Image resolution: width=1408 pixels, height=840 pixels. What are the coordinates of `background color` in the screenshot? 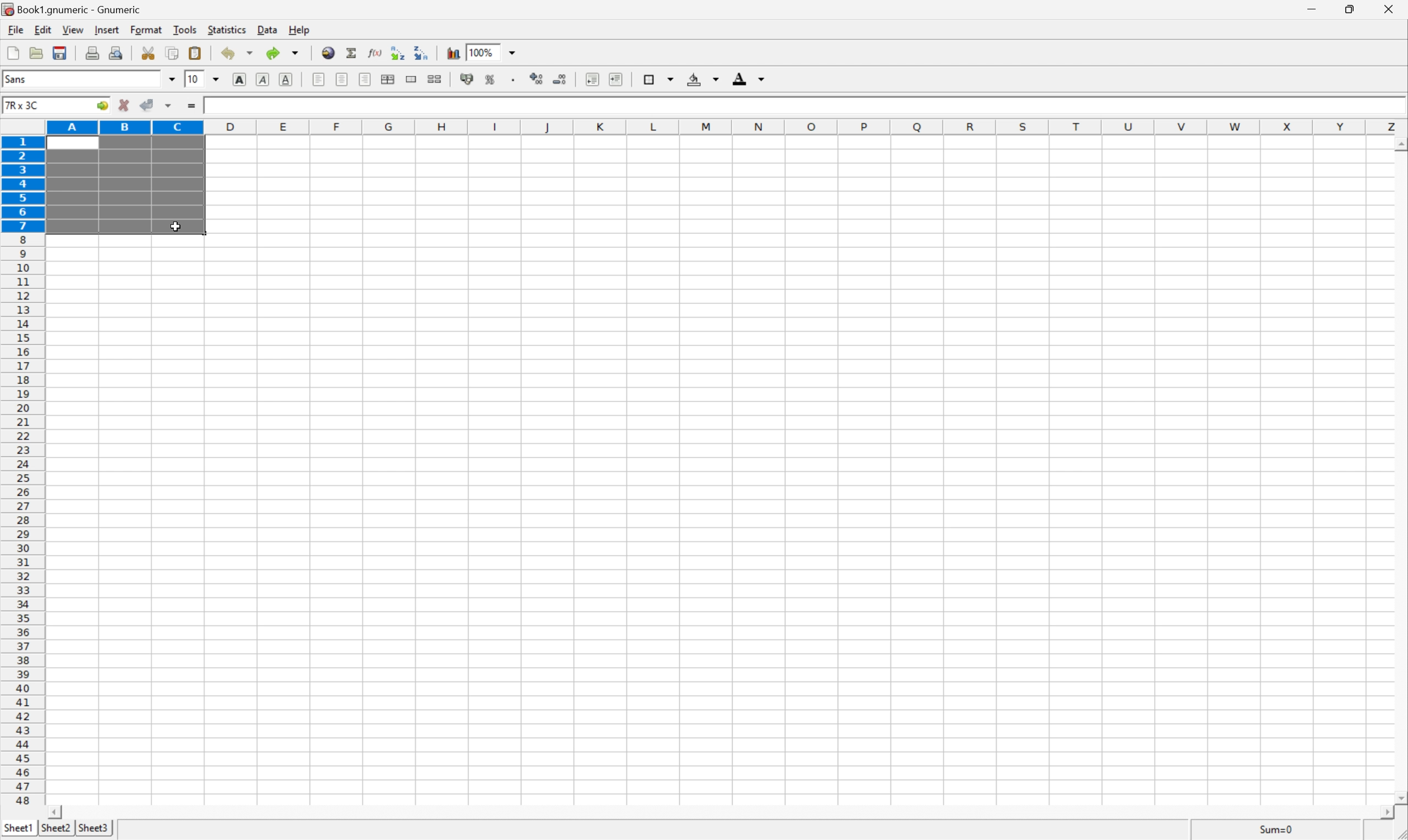 It's located at (704, 78).